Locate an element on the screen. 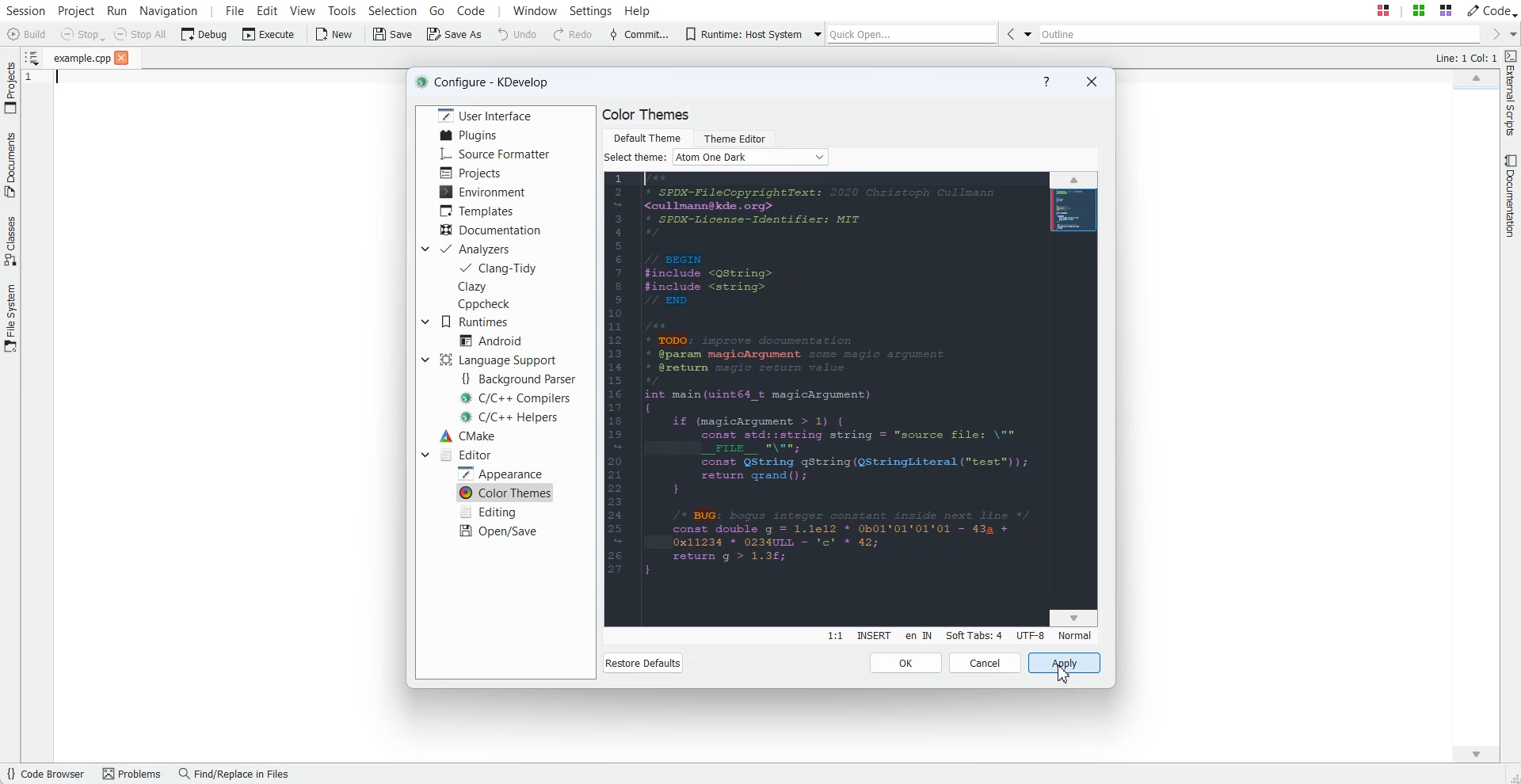  C/C++ Helpers is located at coordinates (511, 417).